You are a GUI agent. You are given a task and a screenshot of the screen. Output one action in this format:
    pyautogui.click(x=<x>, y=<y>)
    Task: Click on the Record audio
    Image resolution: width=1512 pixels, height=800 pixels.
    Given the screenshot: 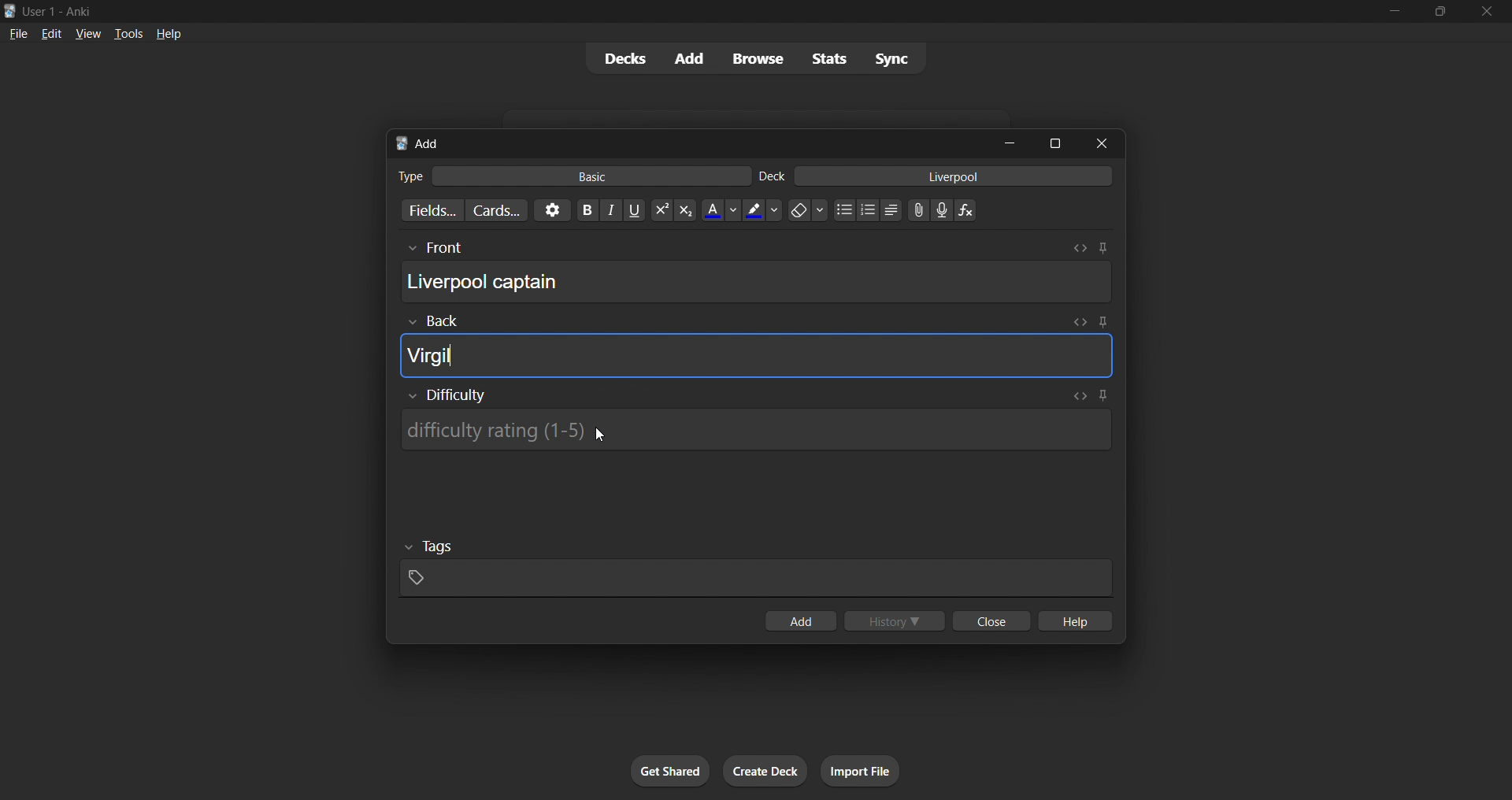 What is the action you would take?
    pyautogui.click(x=942, y=210)
    